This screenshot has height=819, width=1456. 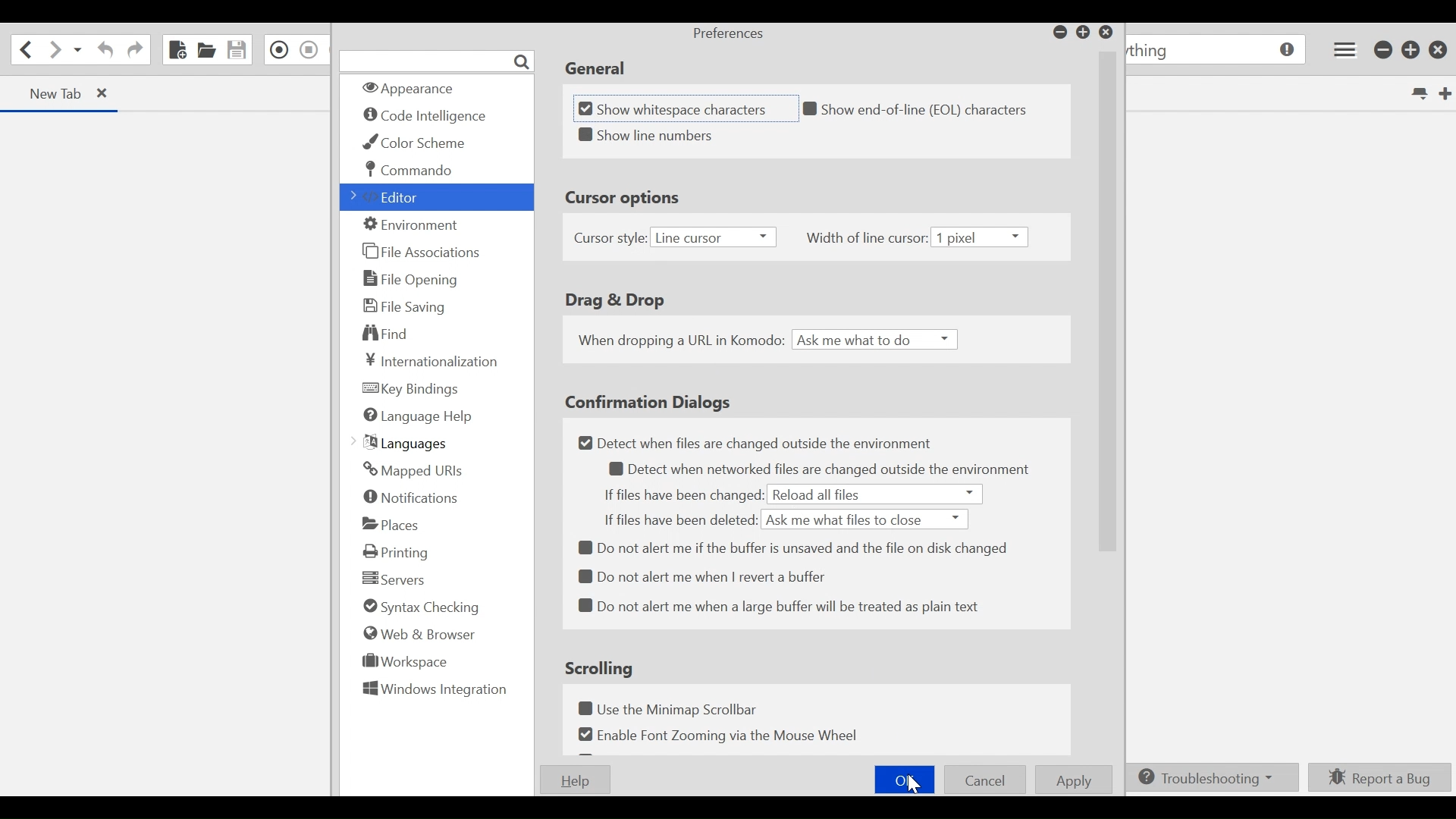 I want to click on Detect when files are changed outside the environment, so click(x=745, y=442).